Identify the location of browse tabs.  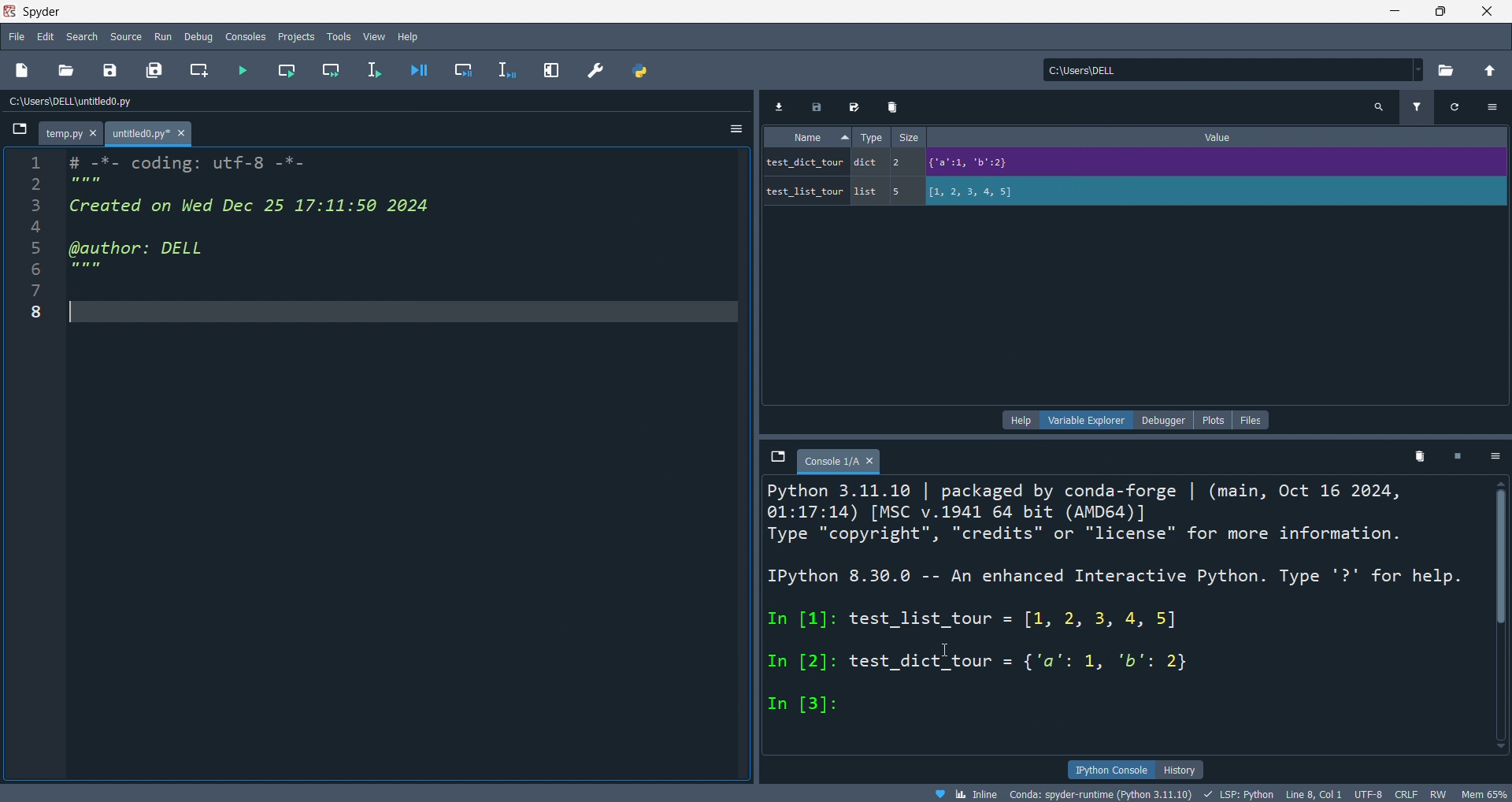
(778, 457).